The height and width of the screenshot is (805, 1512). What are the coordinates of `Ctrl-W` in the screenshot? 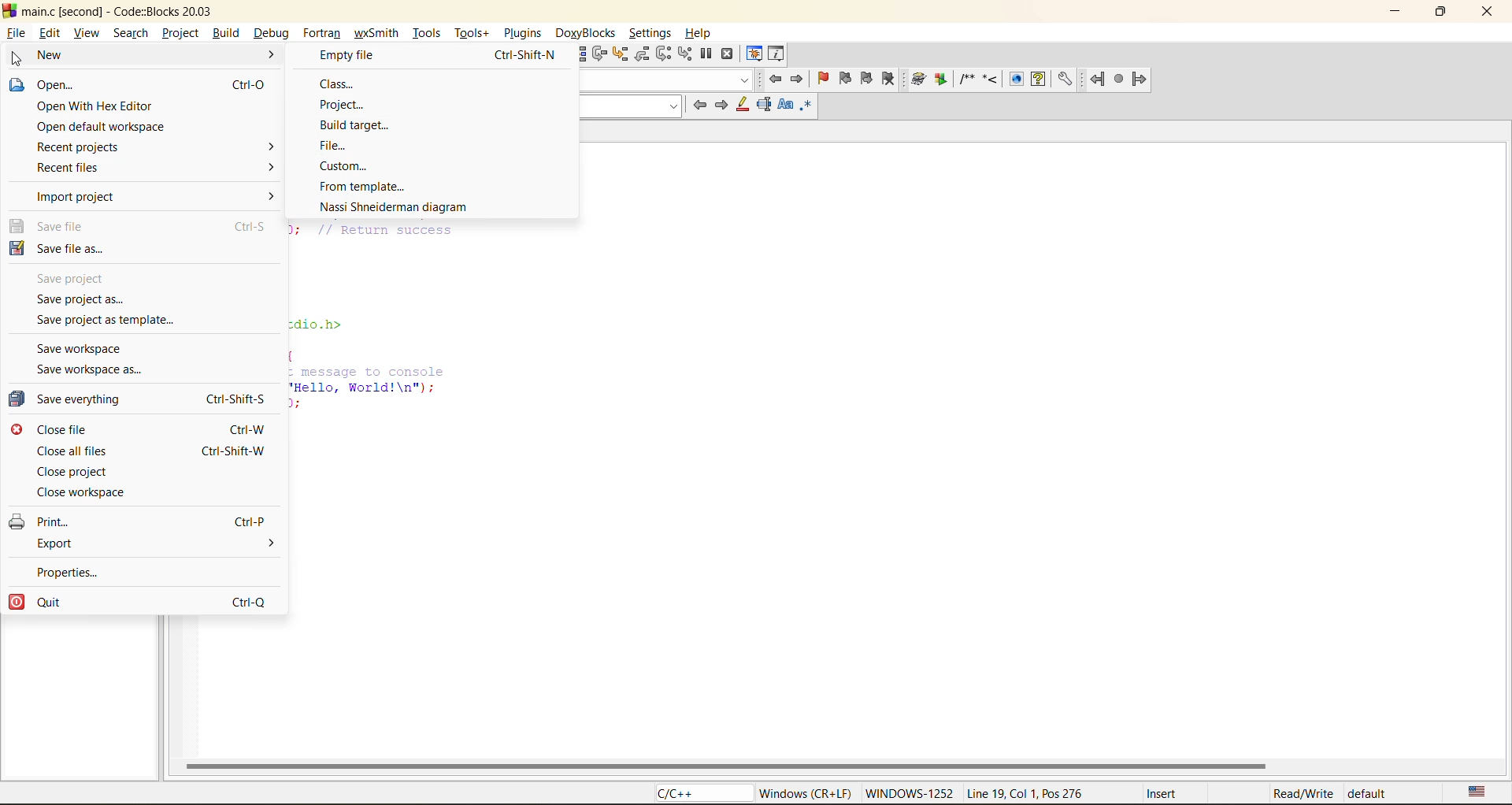 It's located at (246, 429).